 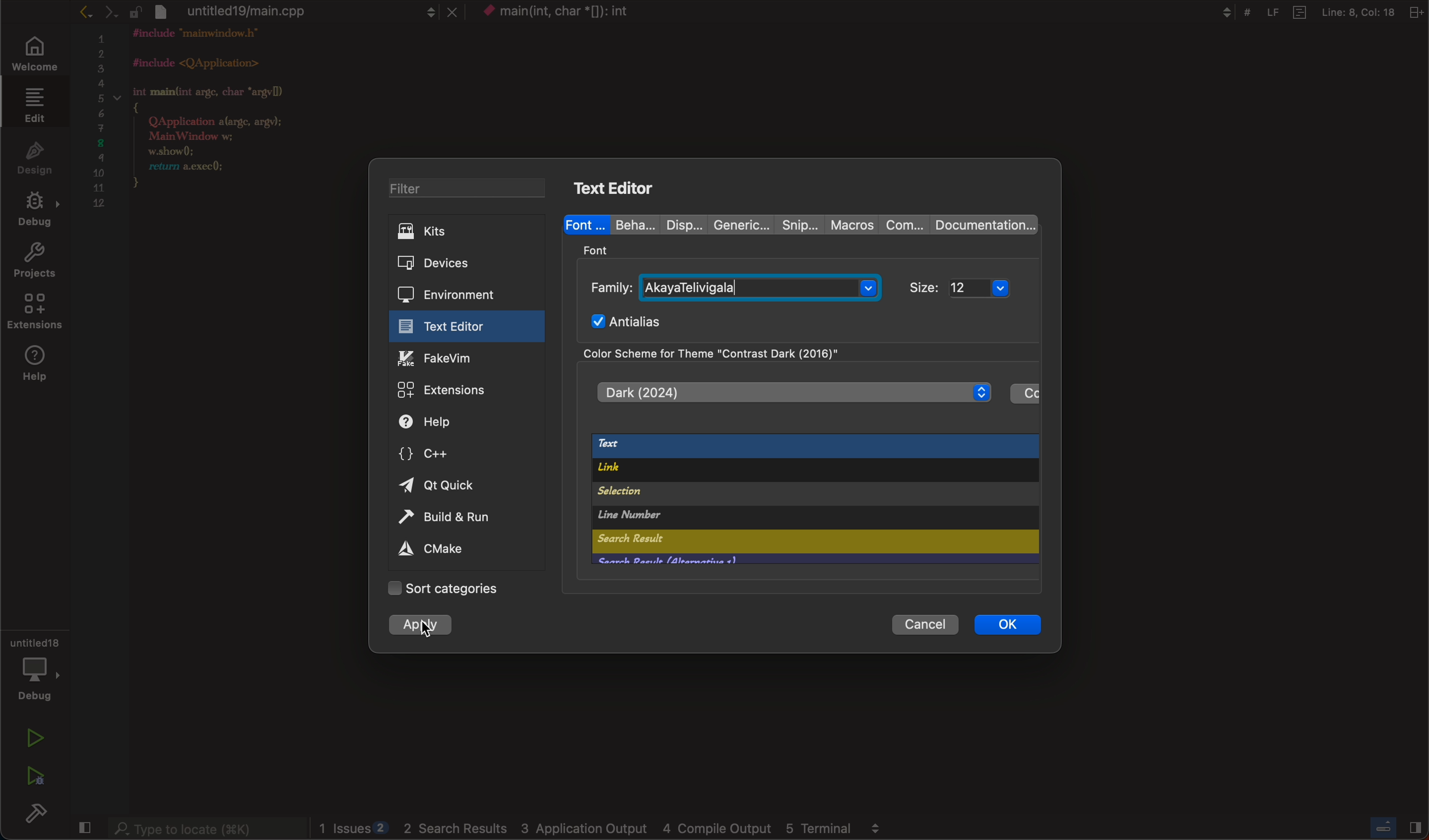 What do you see at coordinates (1398, 828) in the screenshot?
I see `close sidebar` at bounding box center [1398, 828].